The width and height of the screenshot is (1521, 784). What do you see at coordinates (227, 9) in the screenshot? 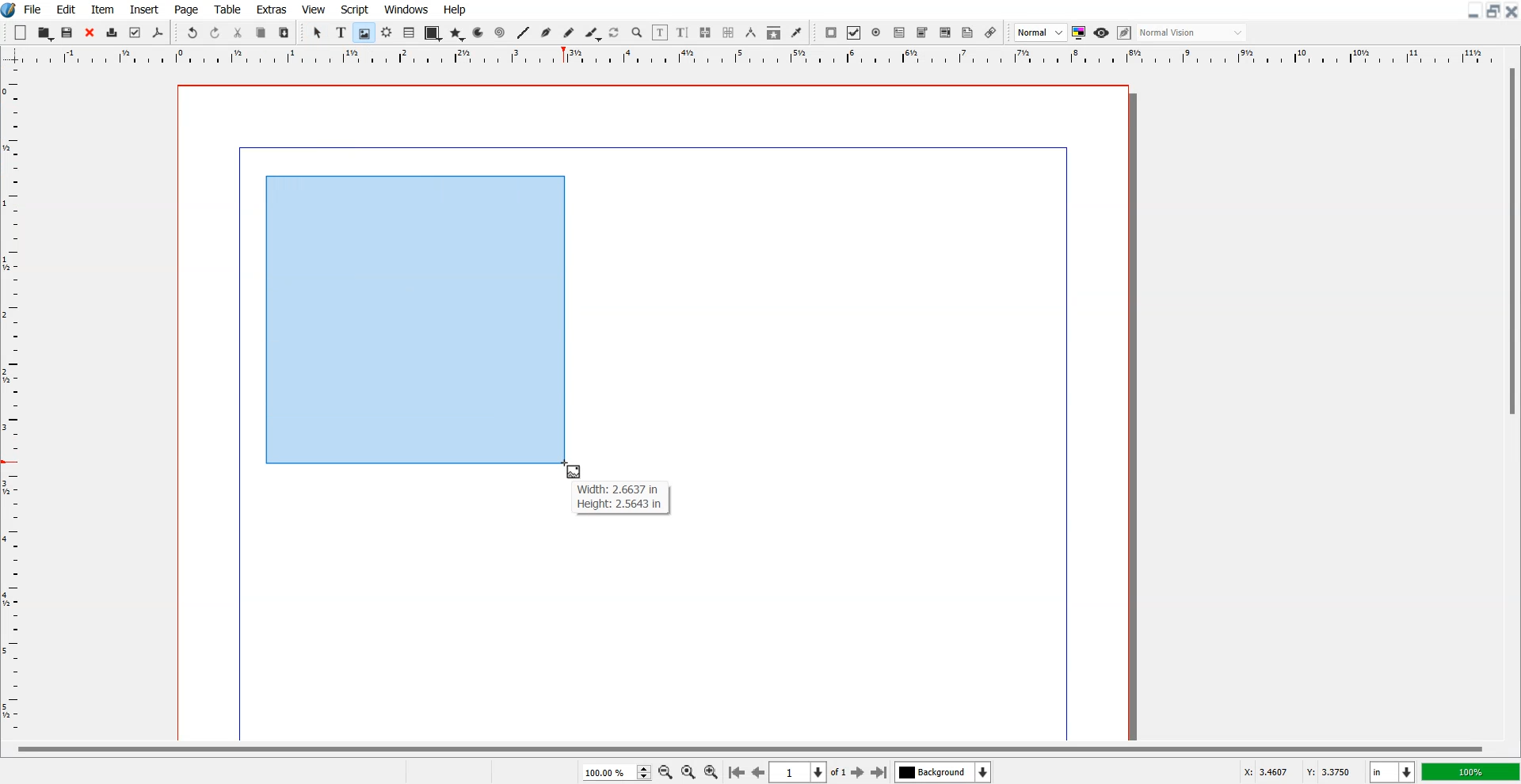
I see `Table` at bounding box center [227, 9].